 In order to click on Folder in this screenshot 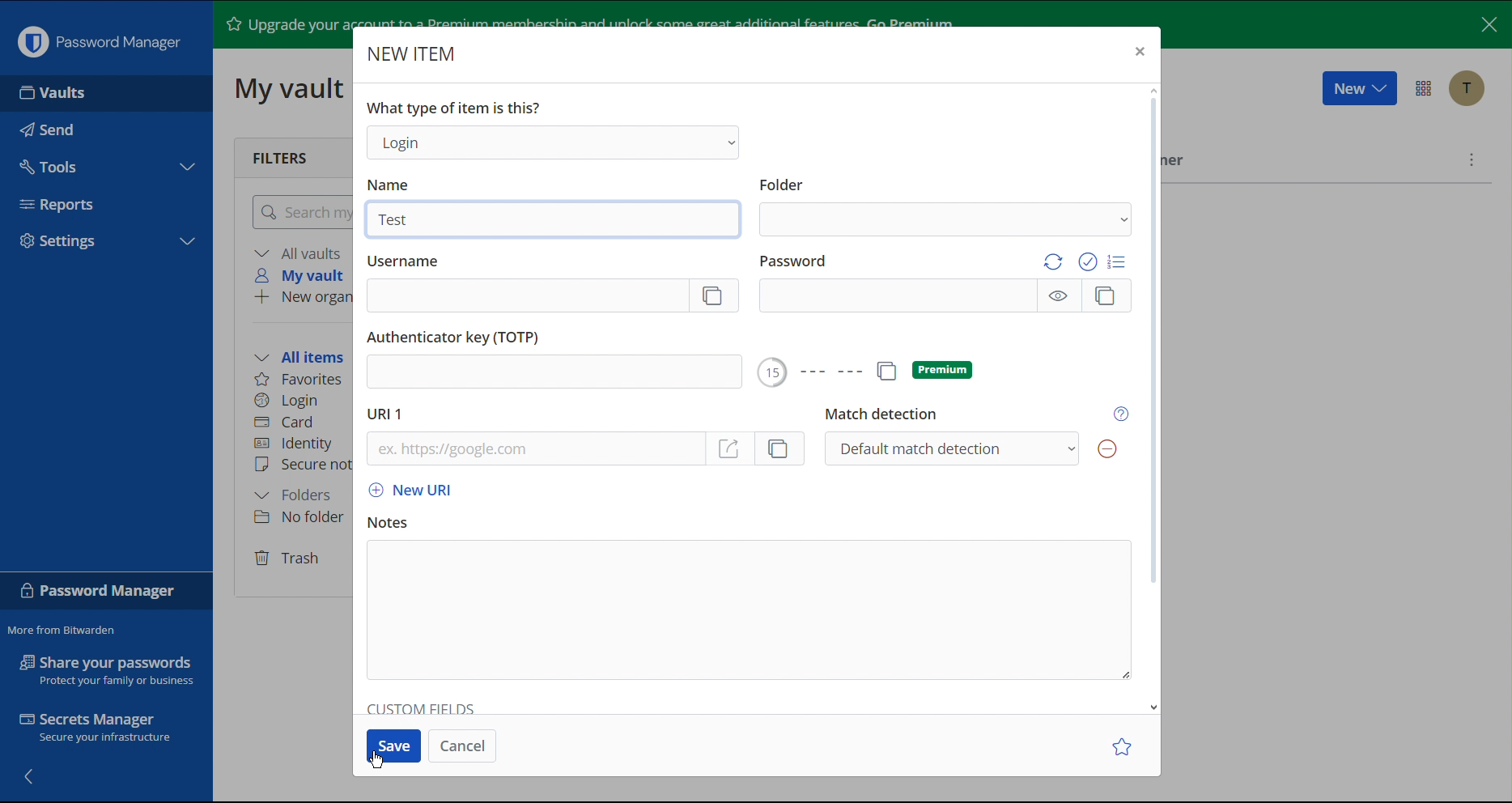, I will do `click(944, 204)`.